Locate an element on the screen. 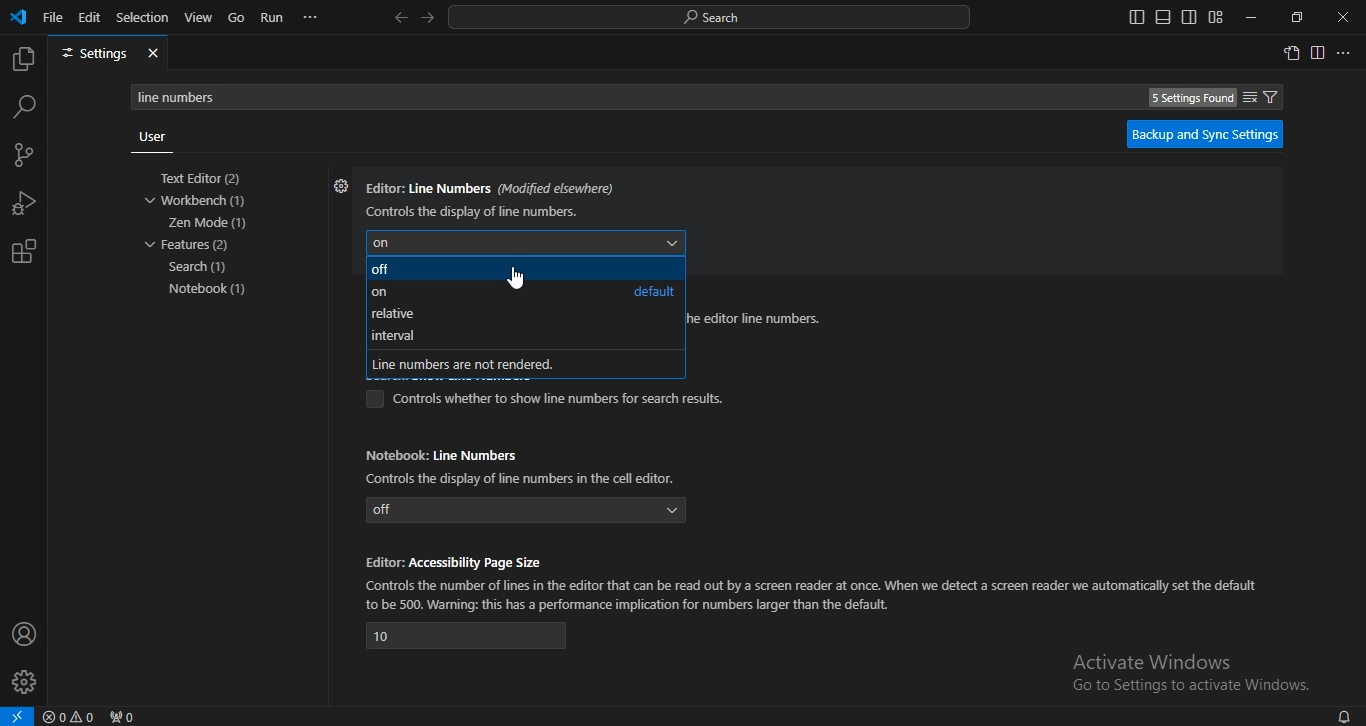  open settings is located at coordinates (1291, 52).